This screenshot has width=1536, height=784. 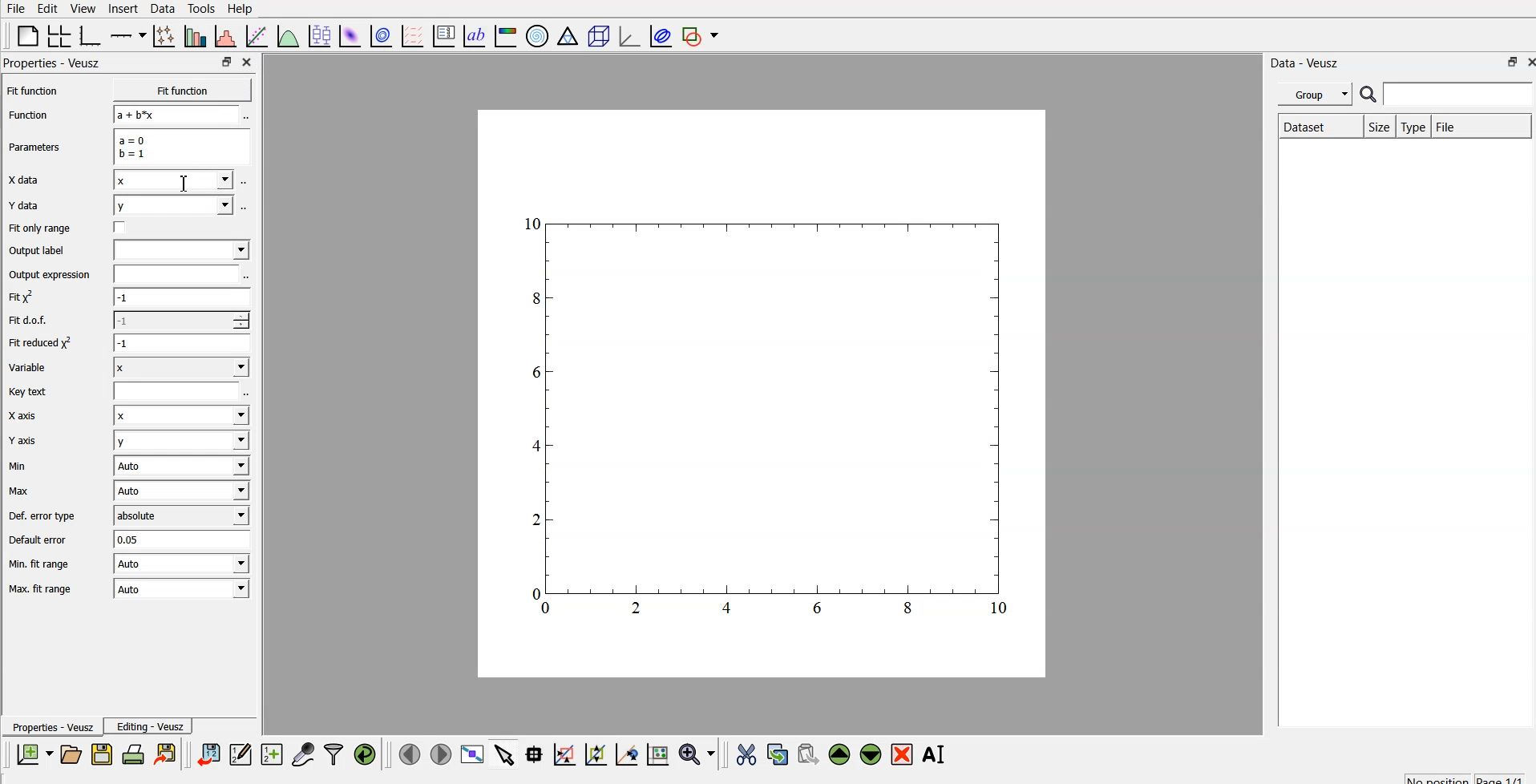 I want to click on | Data - Veusz, so click(x=1303, y=63).